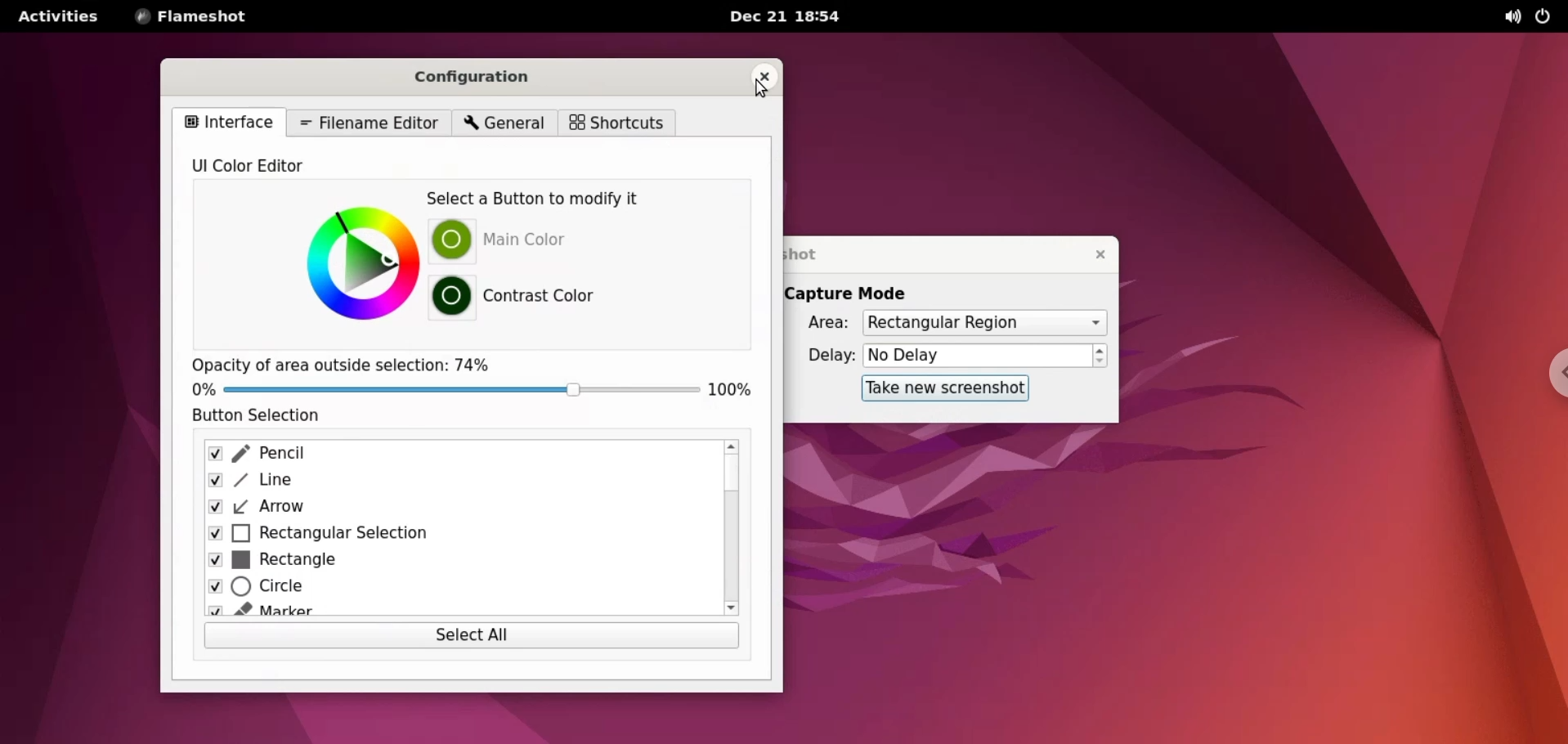 The image size is (1568, 744). What do you see at coordinates (1550, 372) in the screenshot?
I see `chrome options` at bounding box center [1550, 372].